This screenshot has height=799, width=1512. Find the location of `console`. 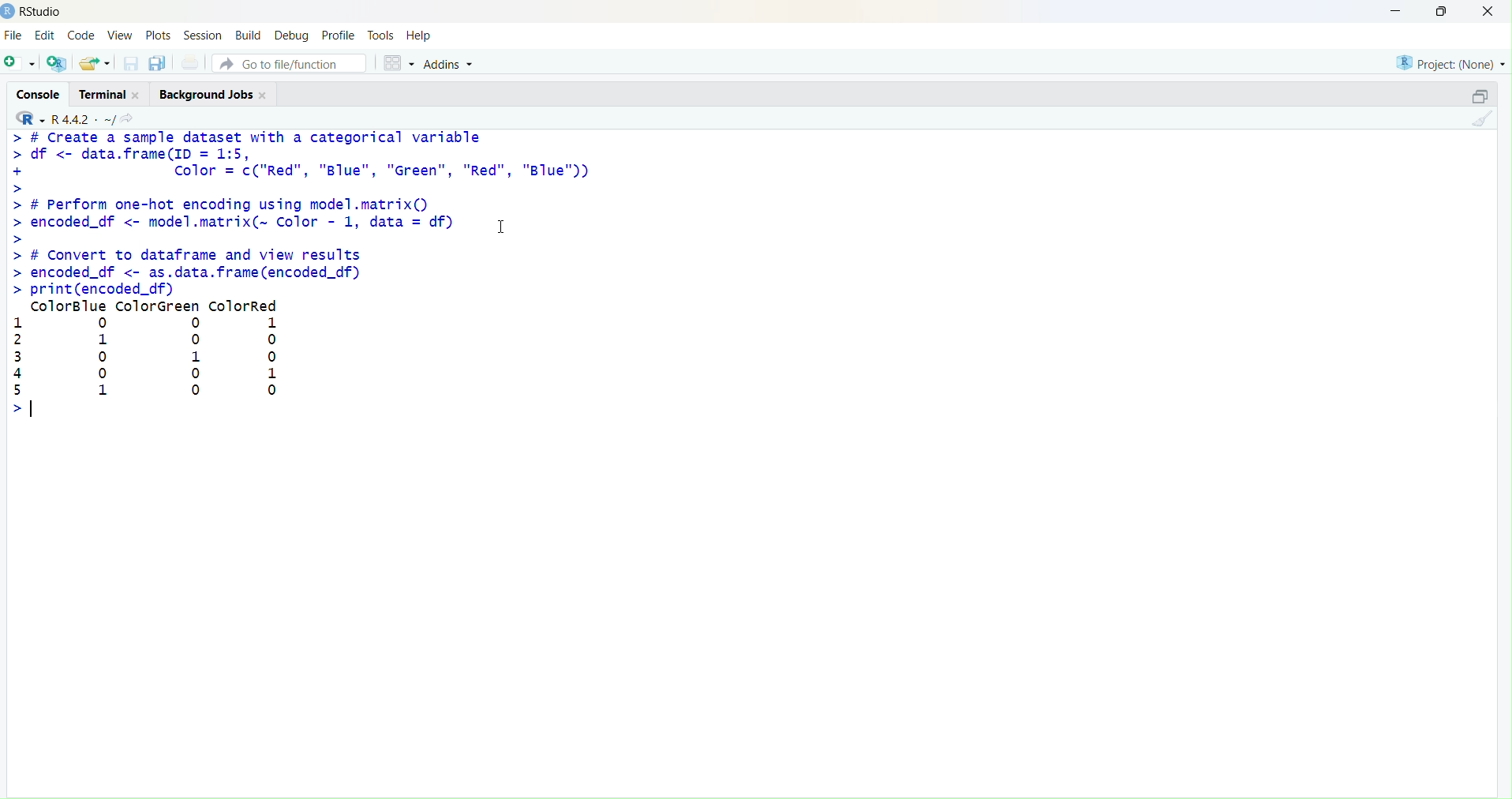

console is located at coordinates (40, 96).